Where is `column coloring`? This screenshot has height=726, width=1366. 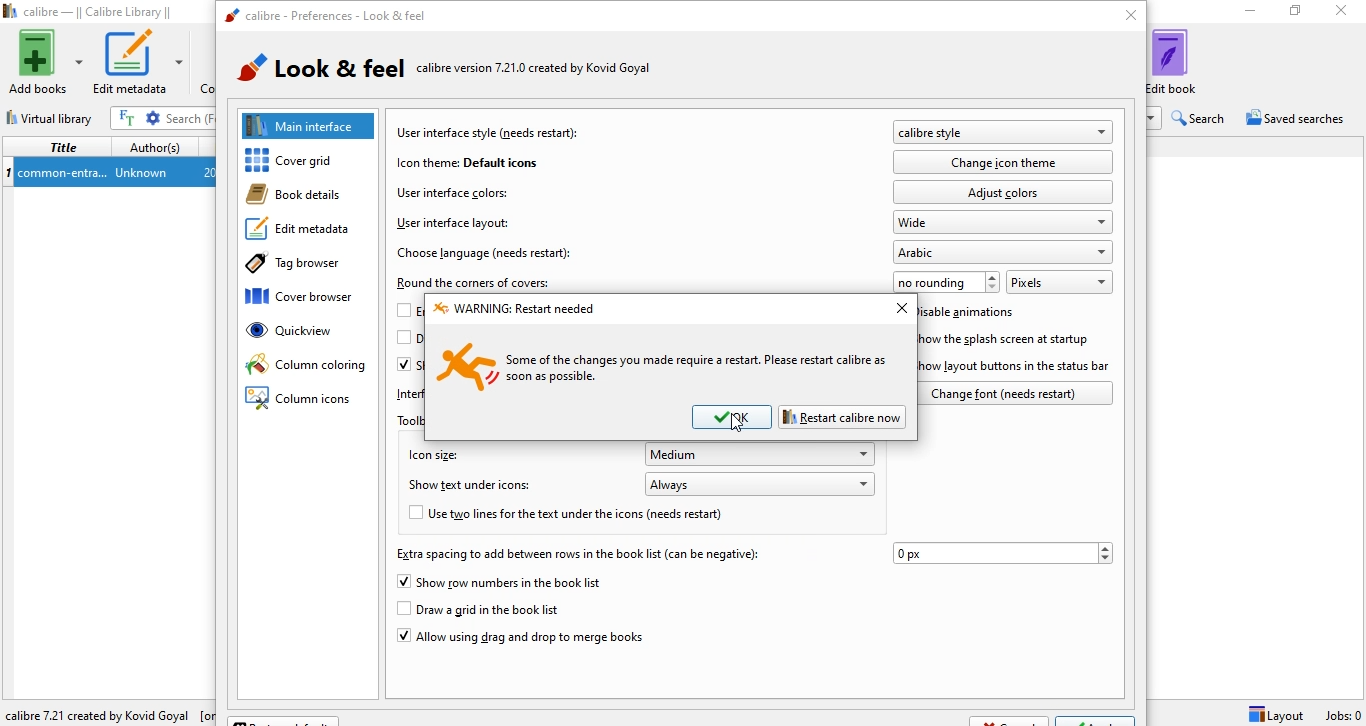 column coloring is located at coordinates (306, 366).